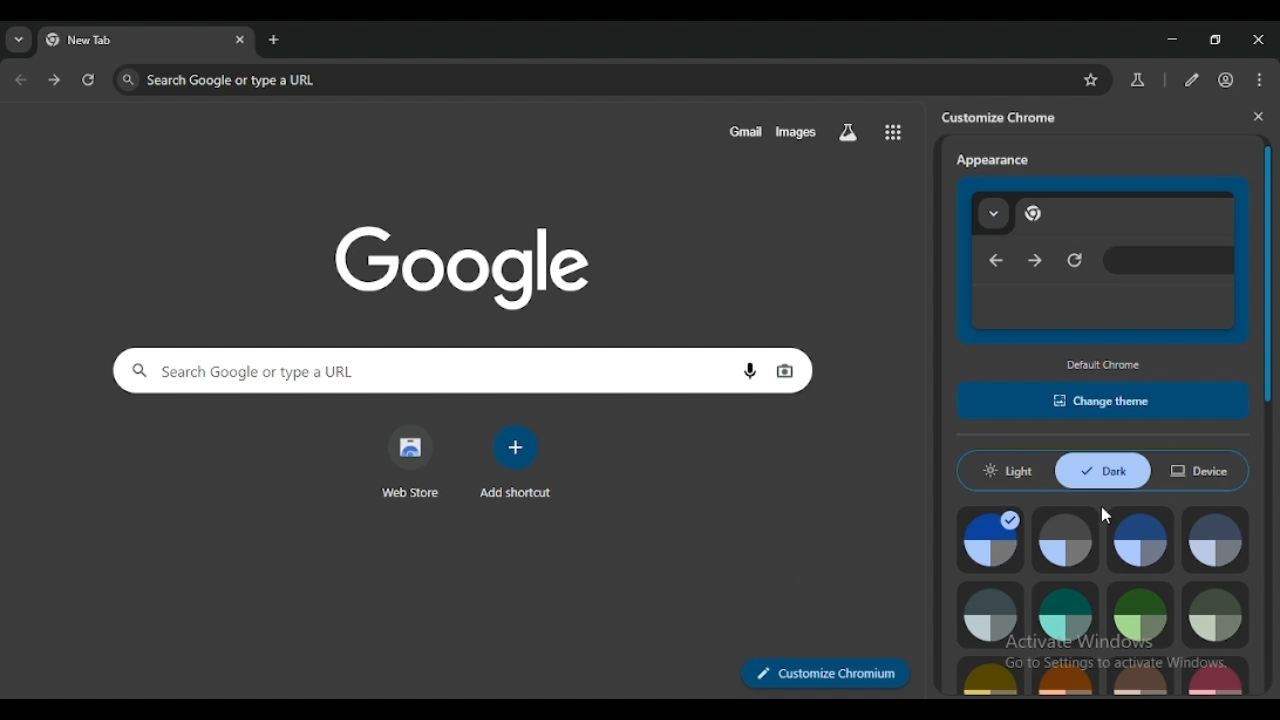 This screenshot has width=1280, height=720. What do you see at coordinates (1173, 40) in the screenshot?
I see `minimize` at bounding box center [1173, 40].